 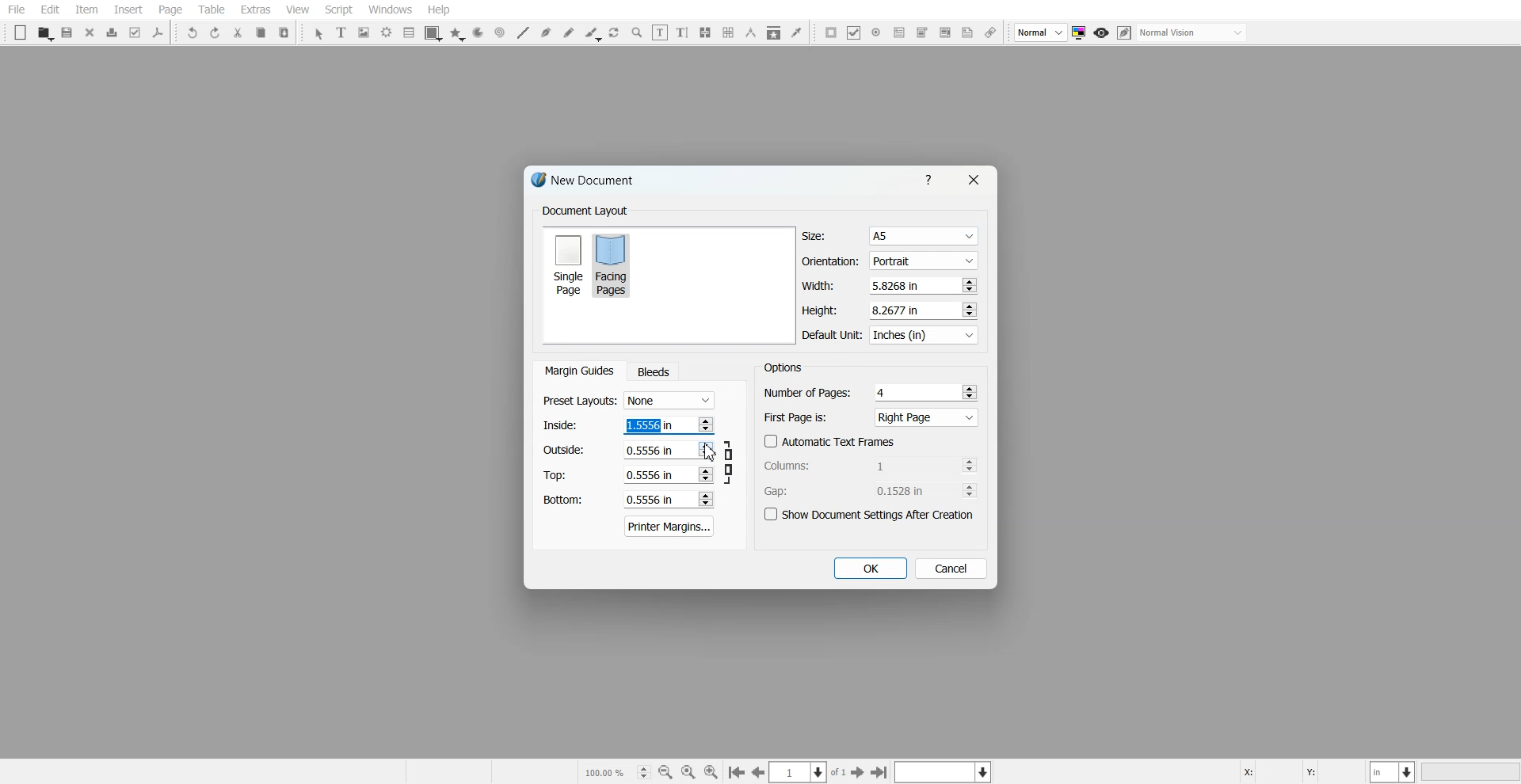 I want to click on Bottom margin adjuster, so click(x=627, y=500).